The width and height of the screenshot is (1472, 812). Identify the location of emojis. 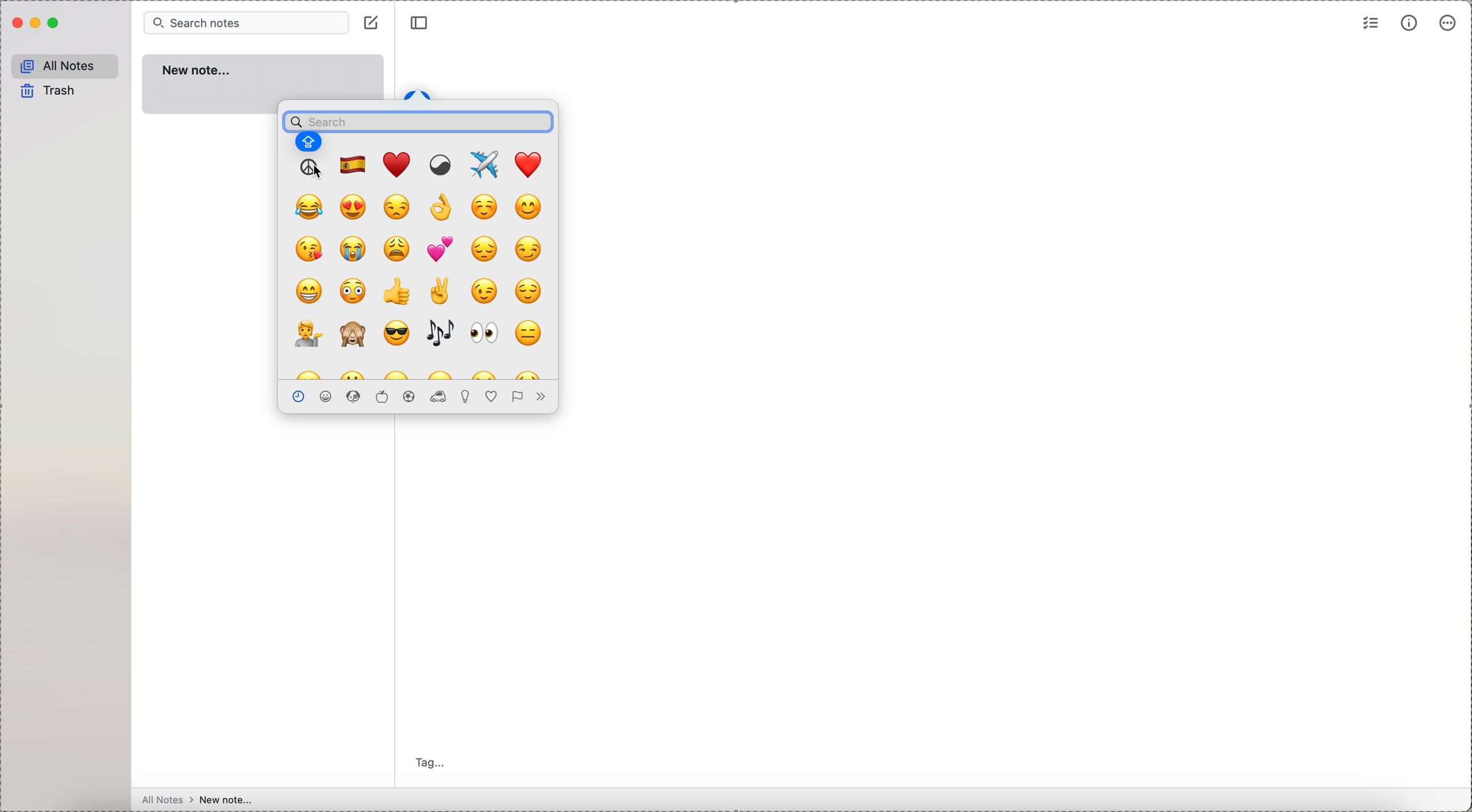
(381, 396).